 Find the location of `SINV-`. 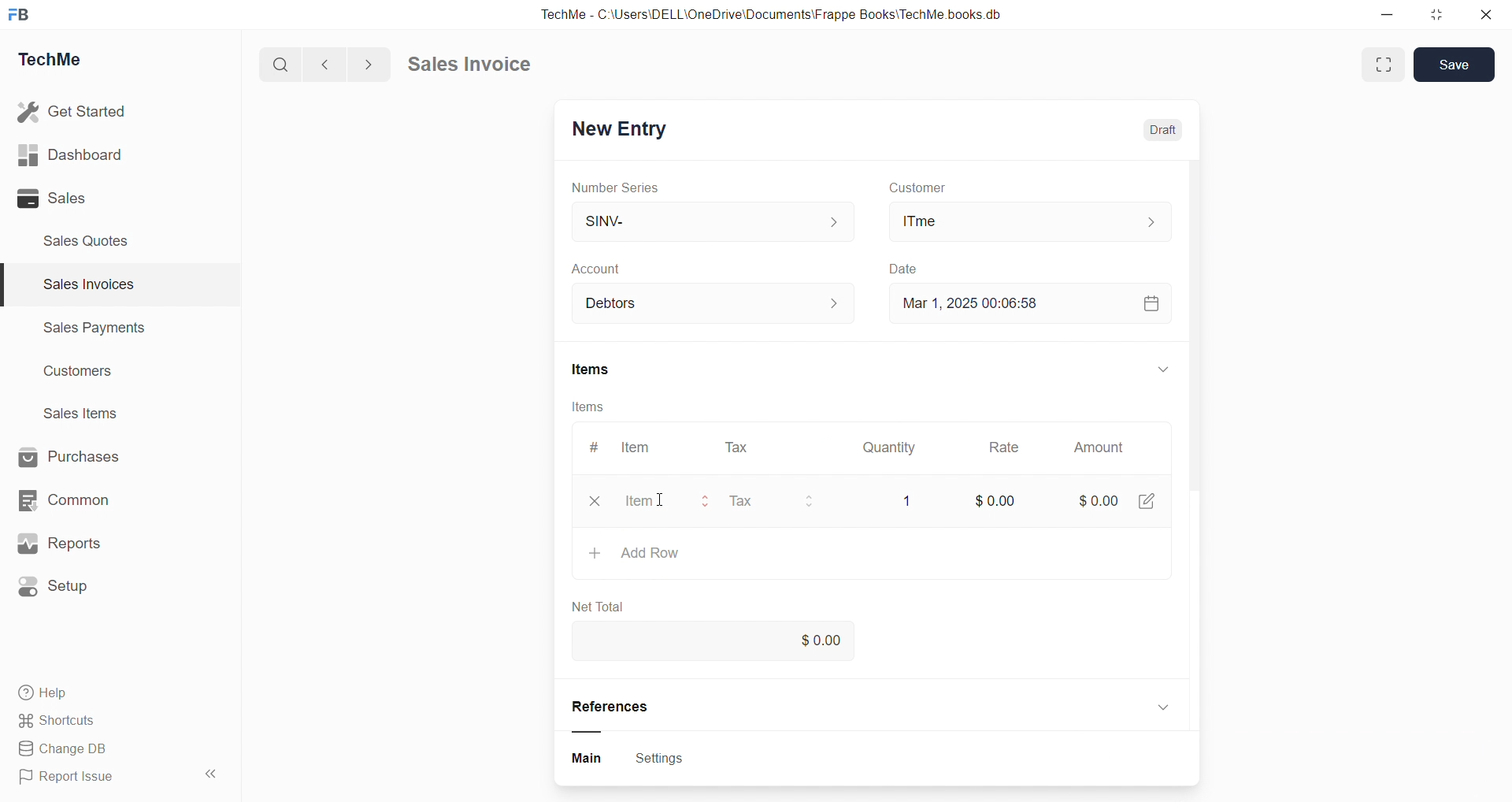

SINV- is located at coordinates (694, 221).